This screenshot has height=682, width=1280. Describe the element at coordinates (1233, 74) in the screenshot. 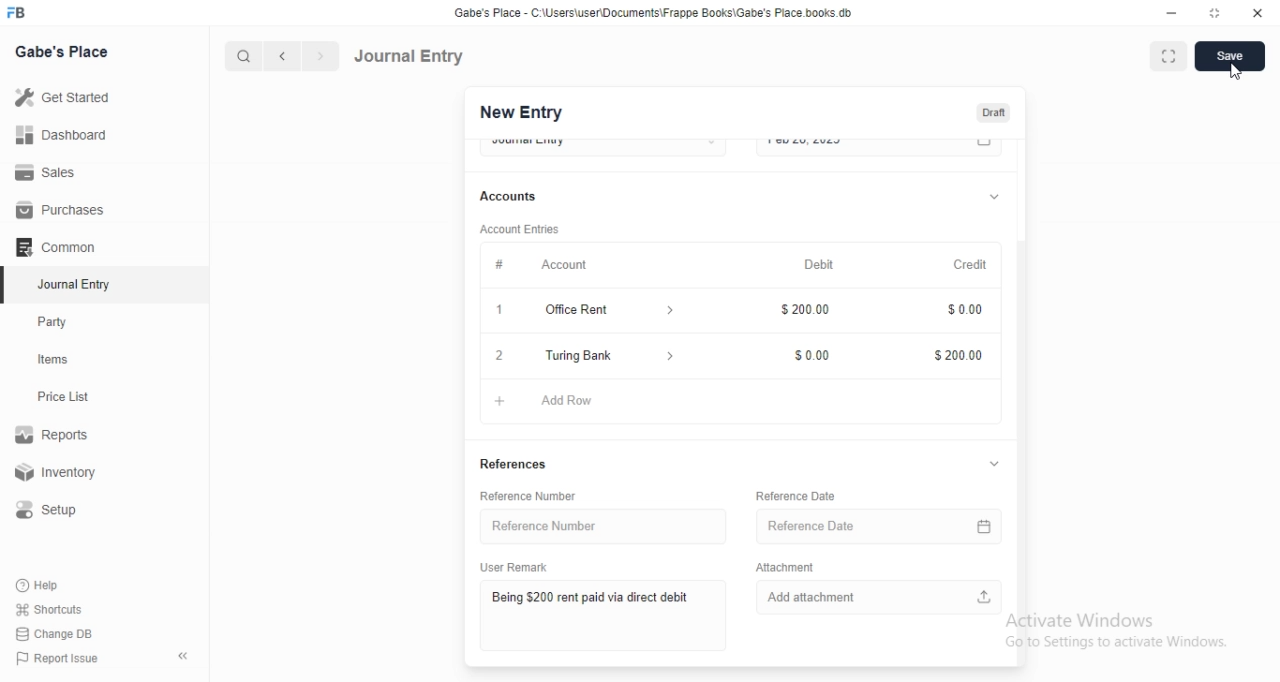

I see `cursor` at that location.